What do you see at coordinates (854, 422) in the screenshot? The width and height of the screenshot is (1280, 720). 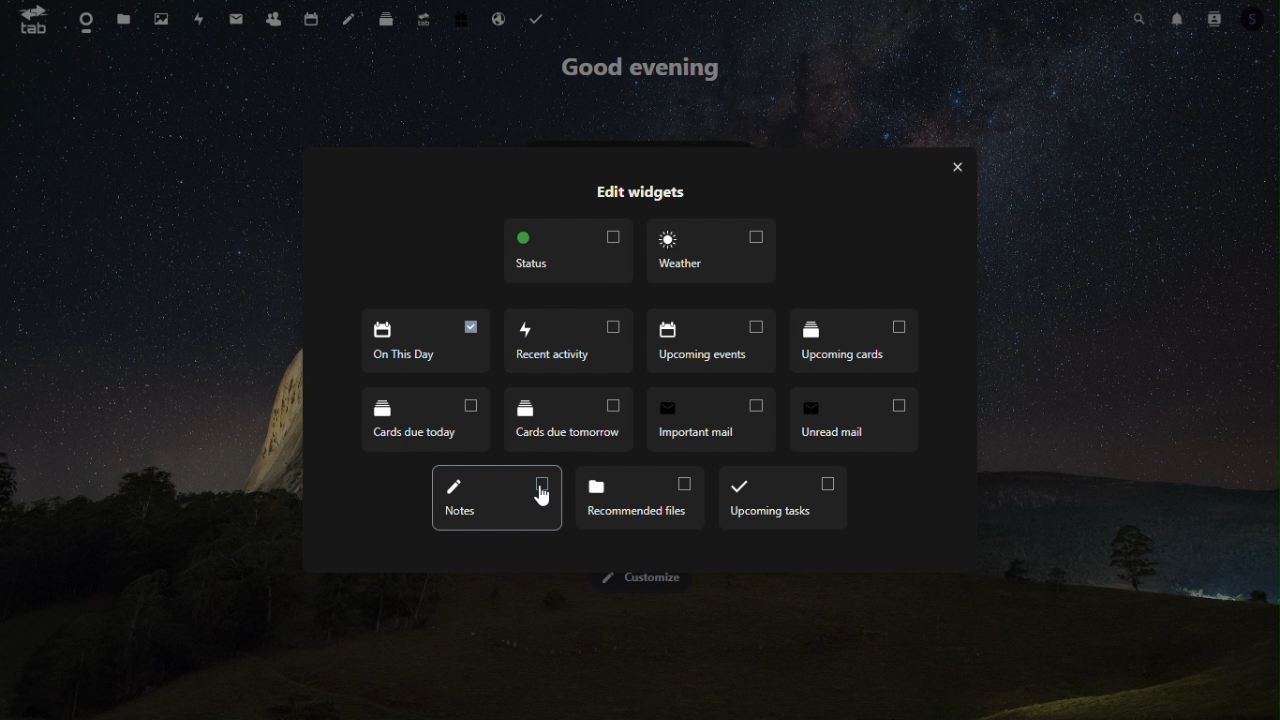 I see `Notes` at bounding box center [854, 422].